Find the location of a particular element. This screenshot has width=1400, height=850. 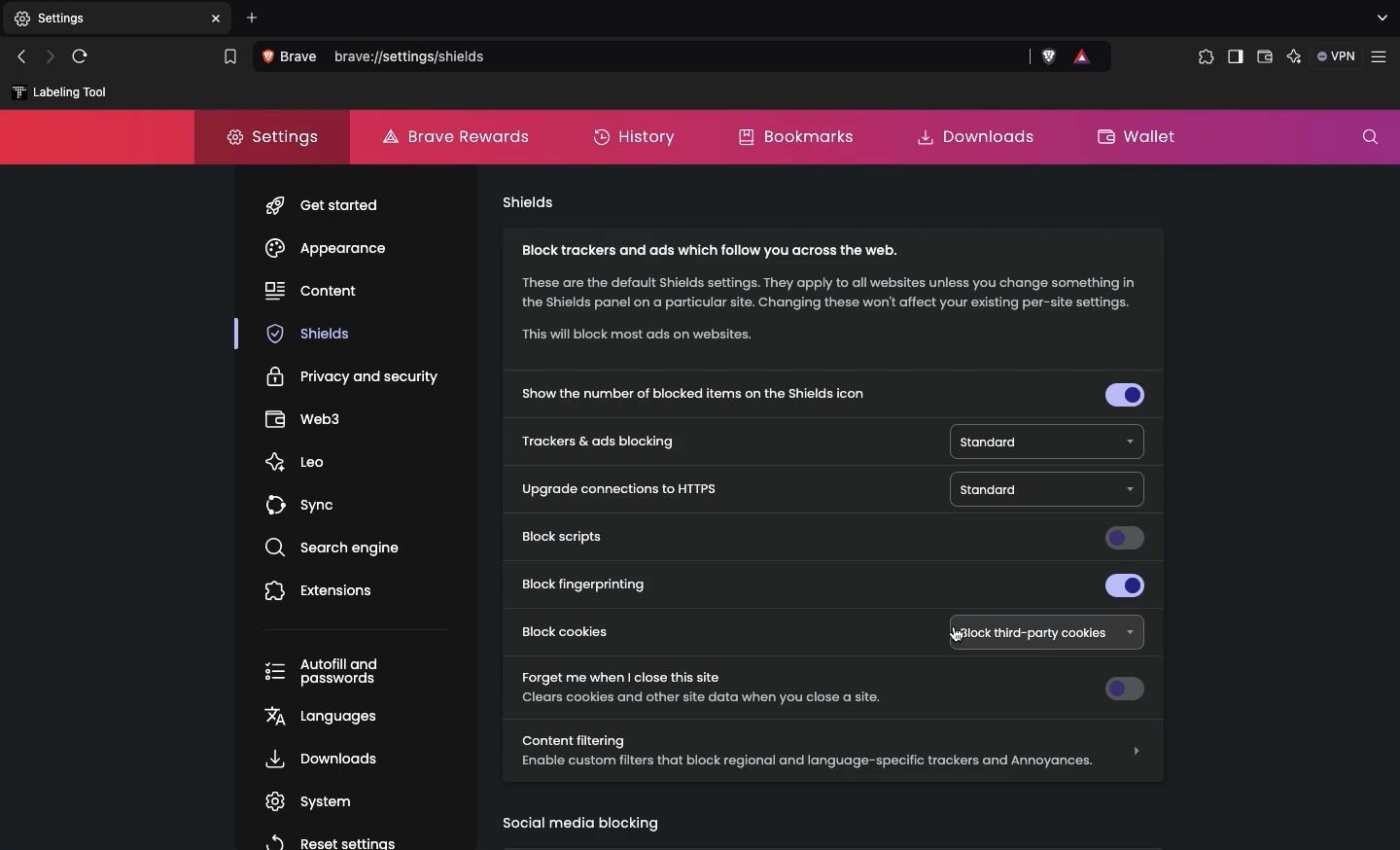

Wallet is located at coordinates (1265, 58).